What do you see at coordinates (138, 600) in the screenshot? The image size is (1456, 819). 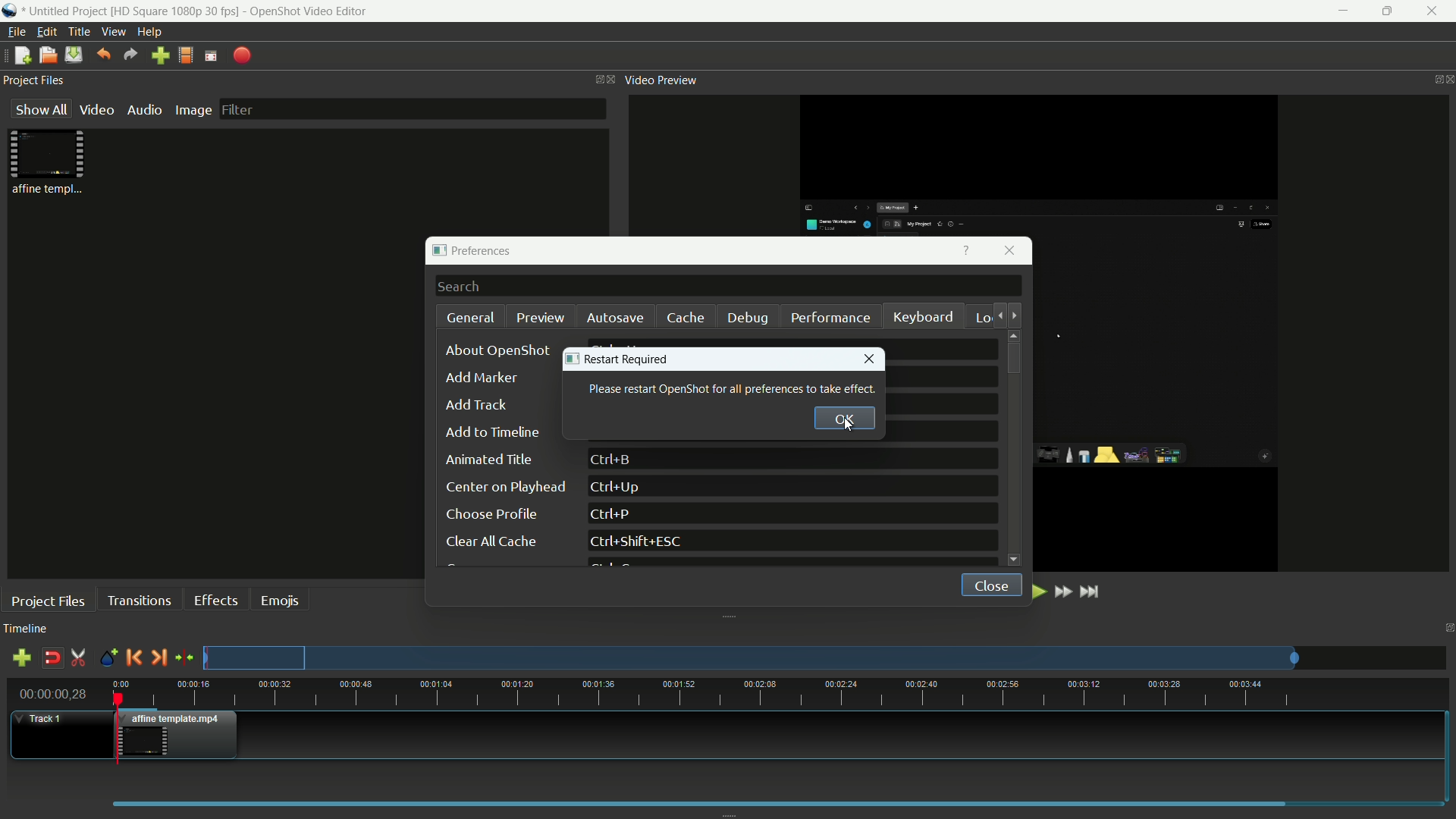 I see `transitions` at bounding box center [138, 600].